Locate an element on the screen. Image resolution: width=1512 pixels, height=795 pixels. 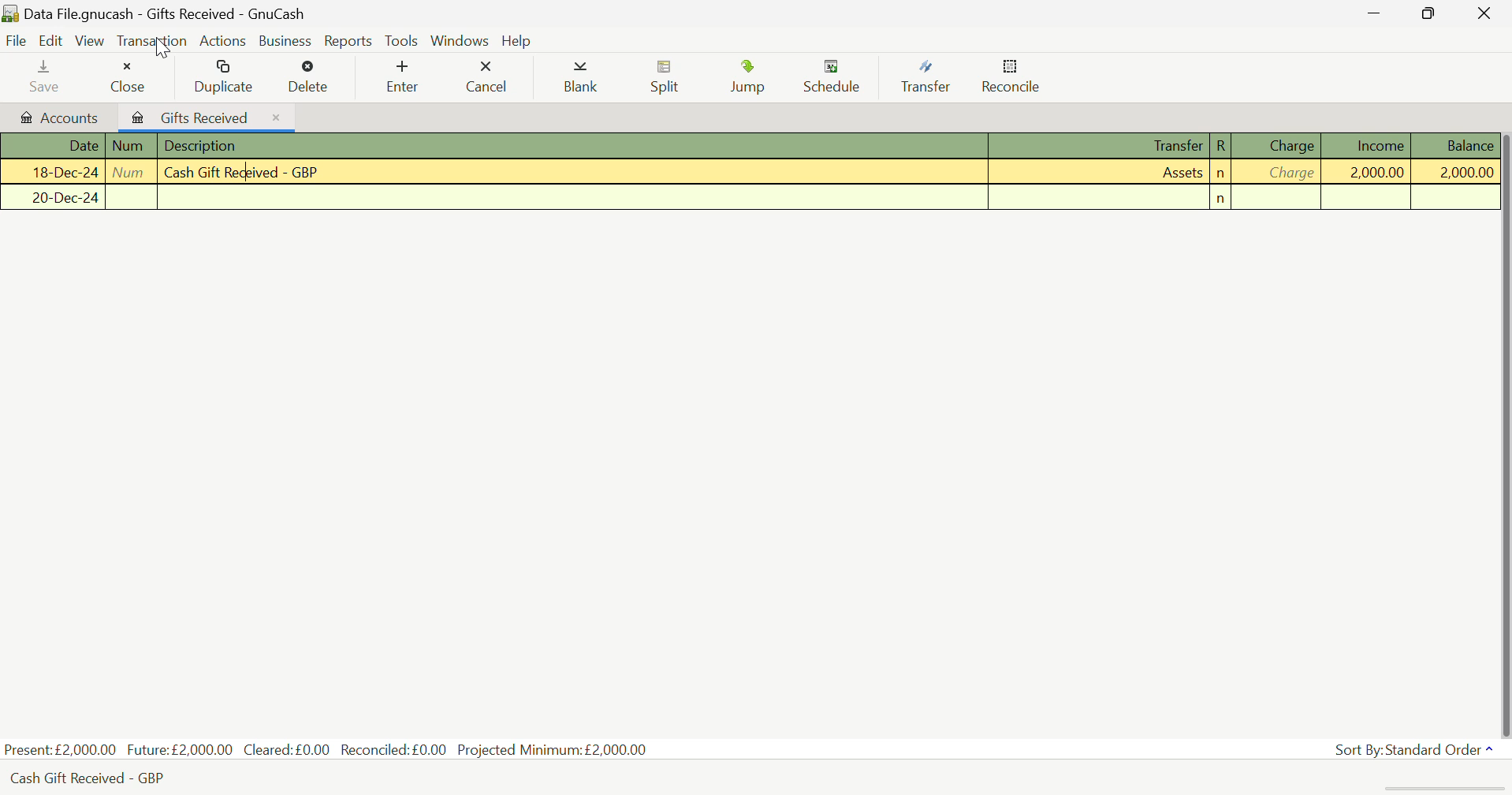
File is located at coordinates (15, 40).